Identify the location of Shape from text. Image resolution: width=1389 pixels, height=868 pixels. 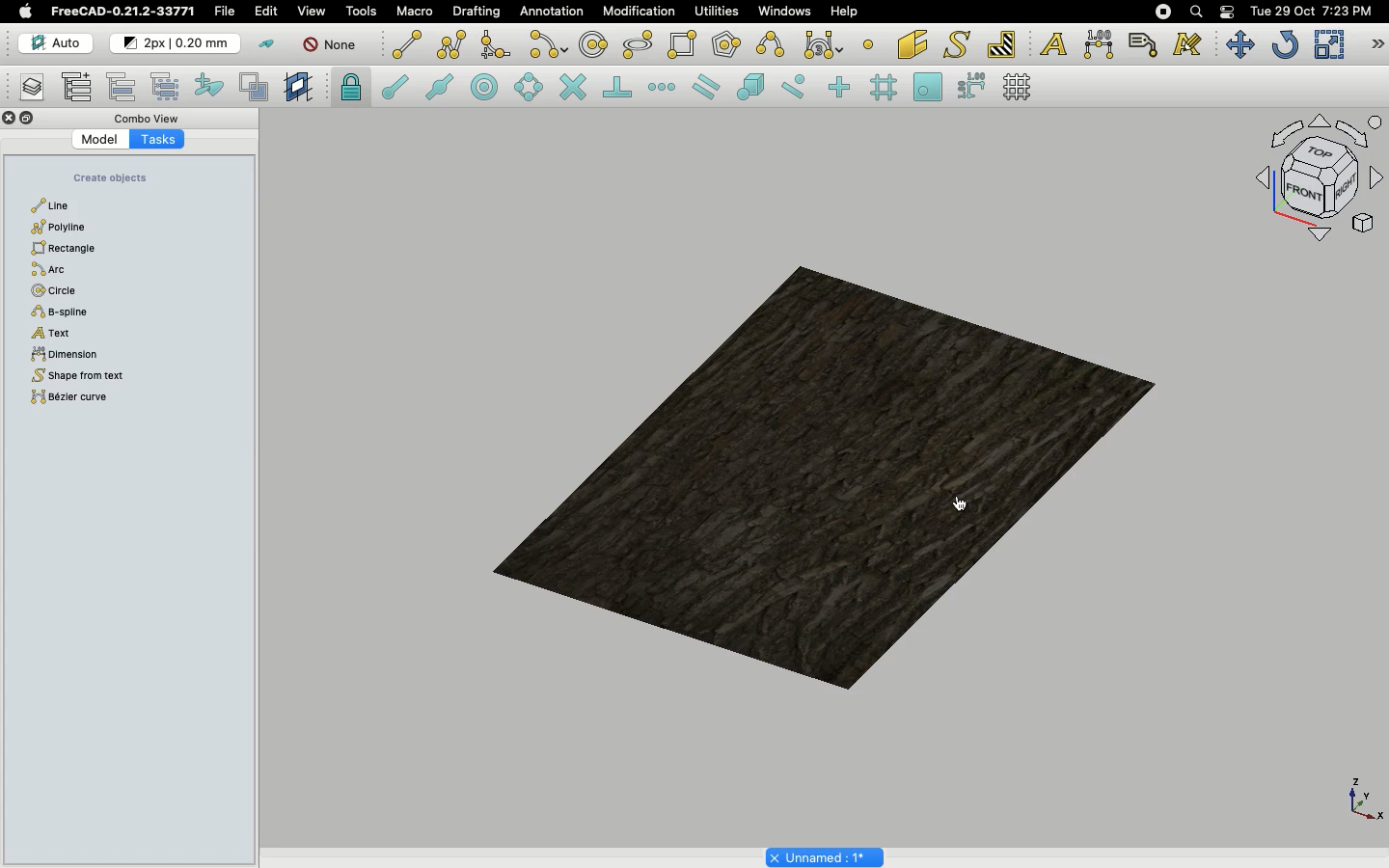
(80, 373).